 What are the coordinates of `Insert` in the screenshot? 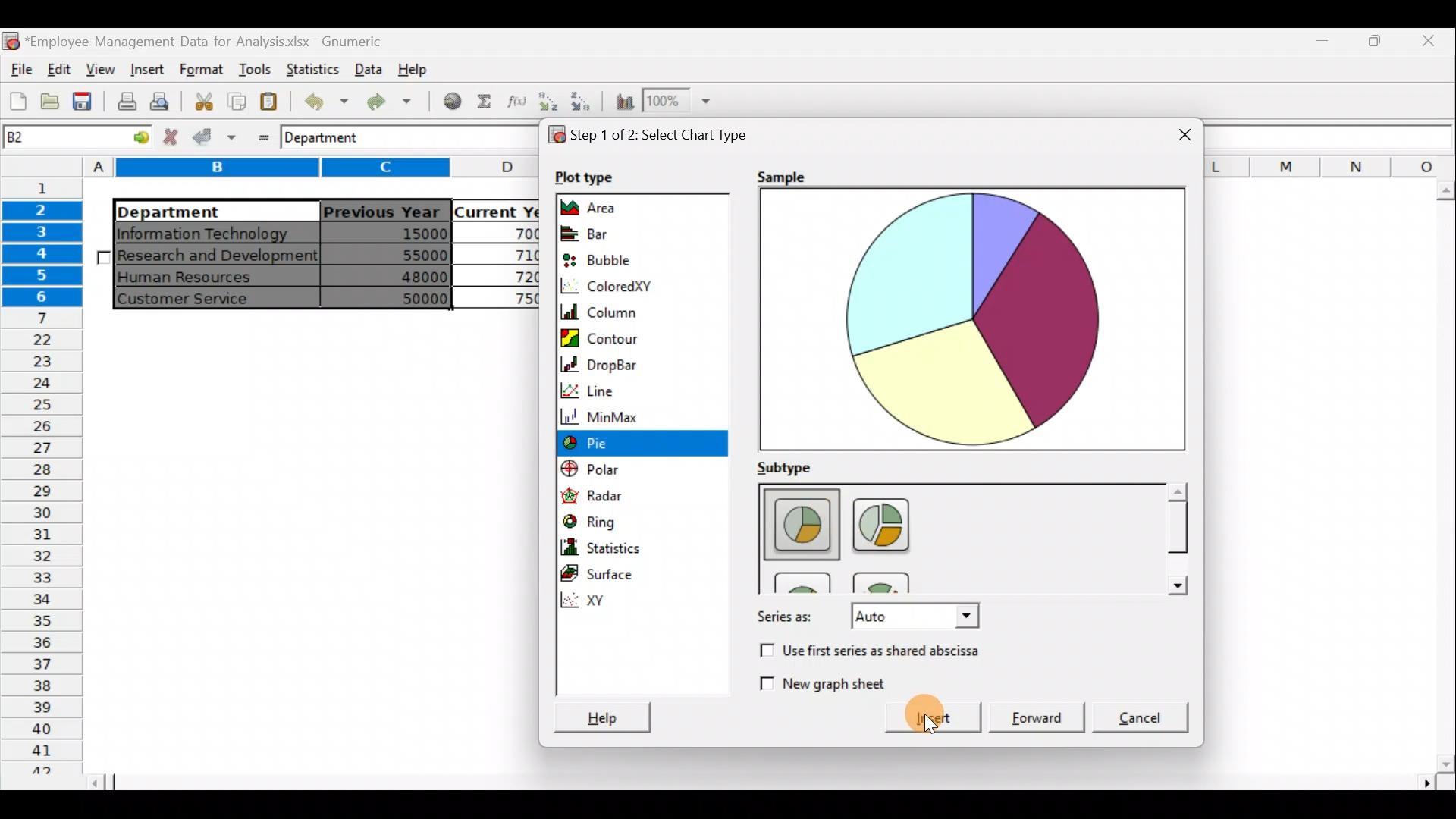 It's located at (146, 68).